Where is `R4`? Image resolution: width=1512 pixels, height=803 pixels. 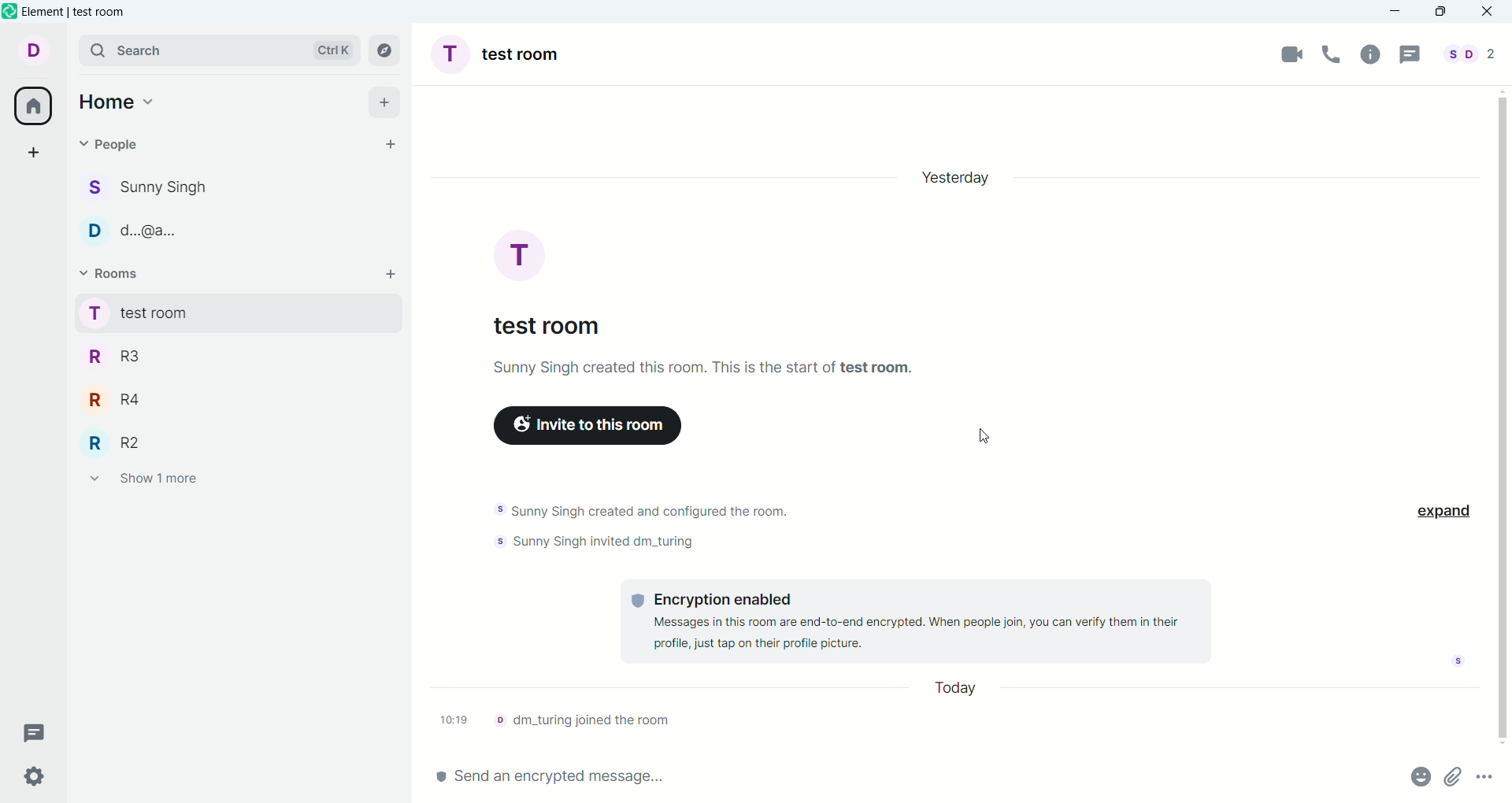 R4 is located at coordinates (239, 398).